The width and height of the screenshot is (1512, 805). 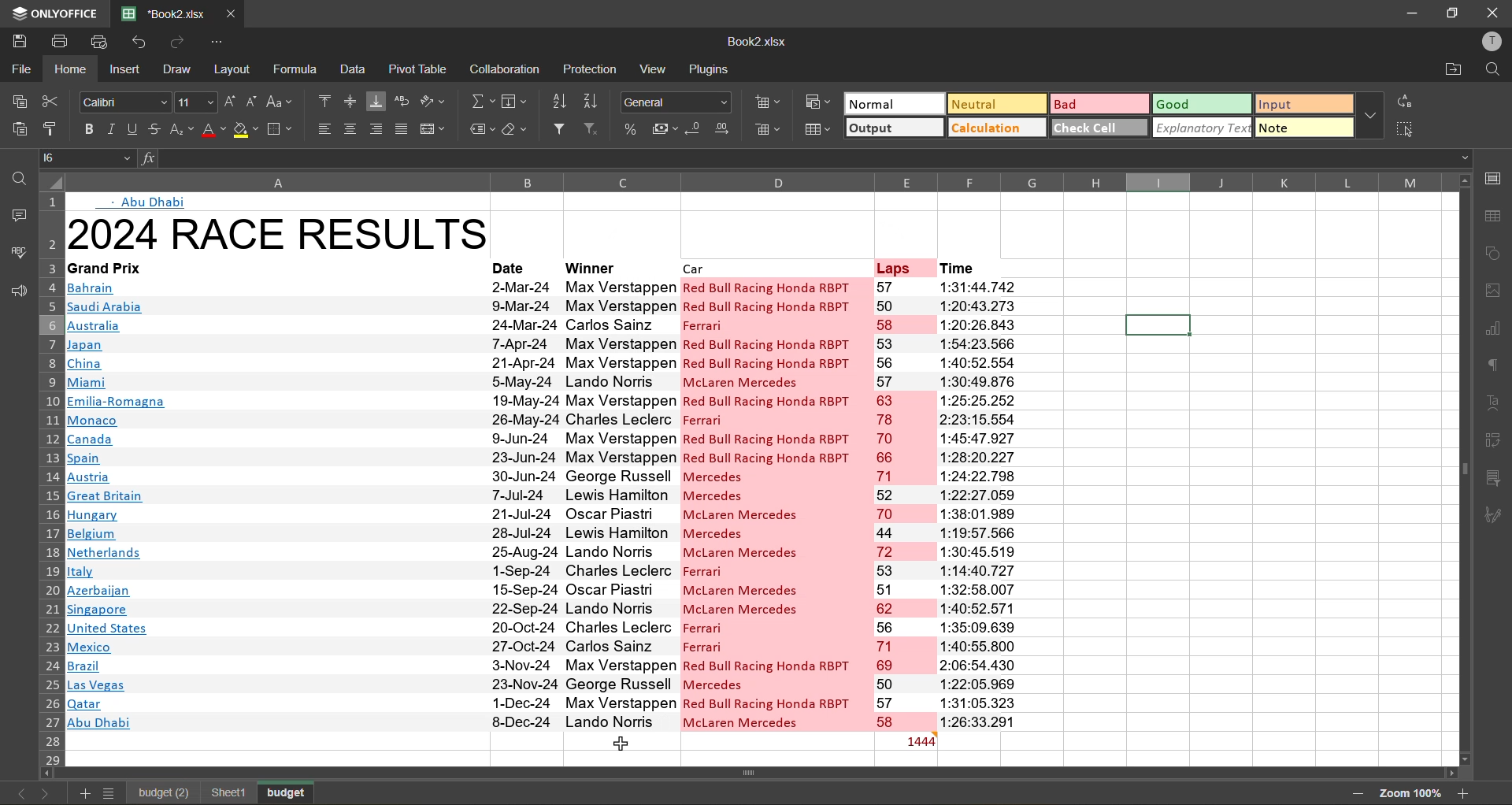 I want to click on redo, so click(x=178, y=41).